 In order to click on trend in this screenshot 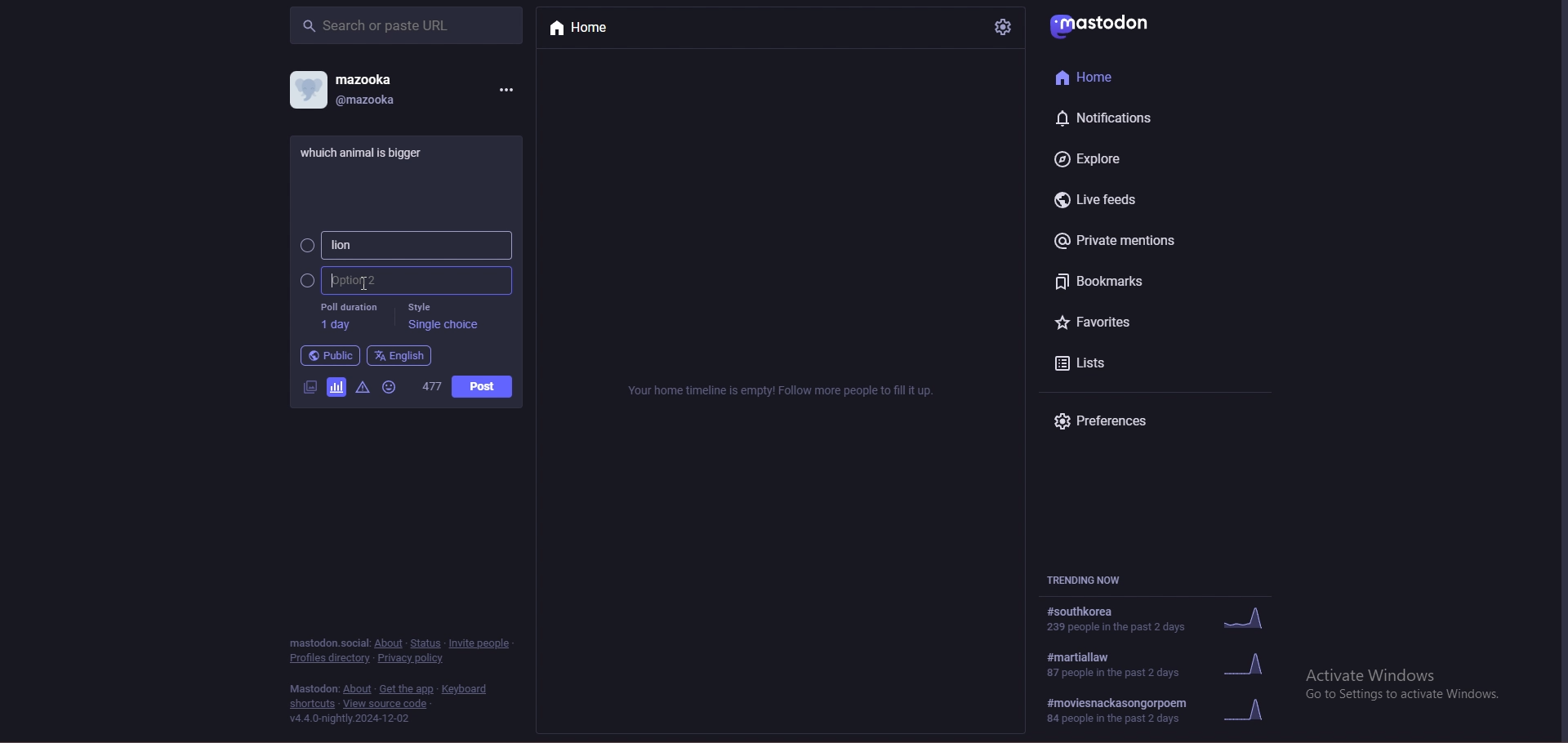, I will do `click(1166, 665)`.